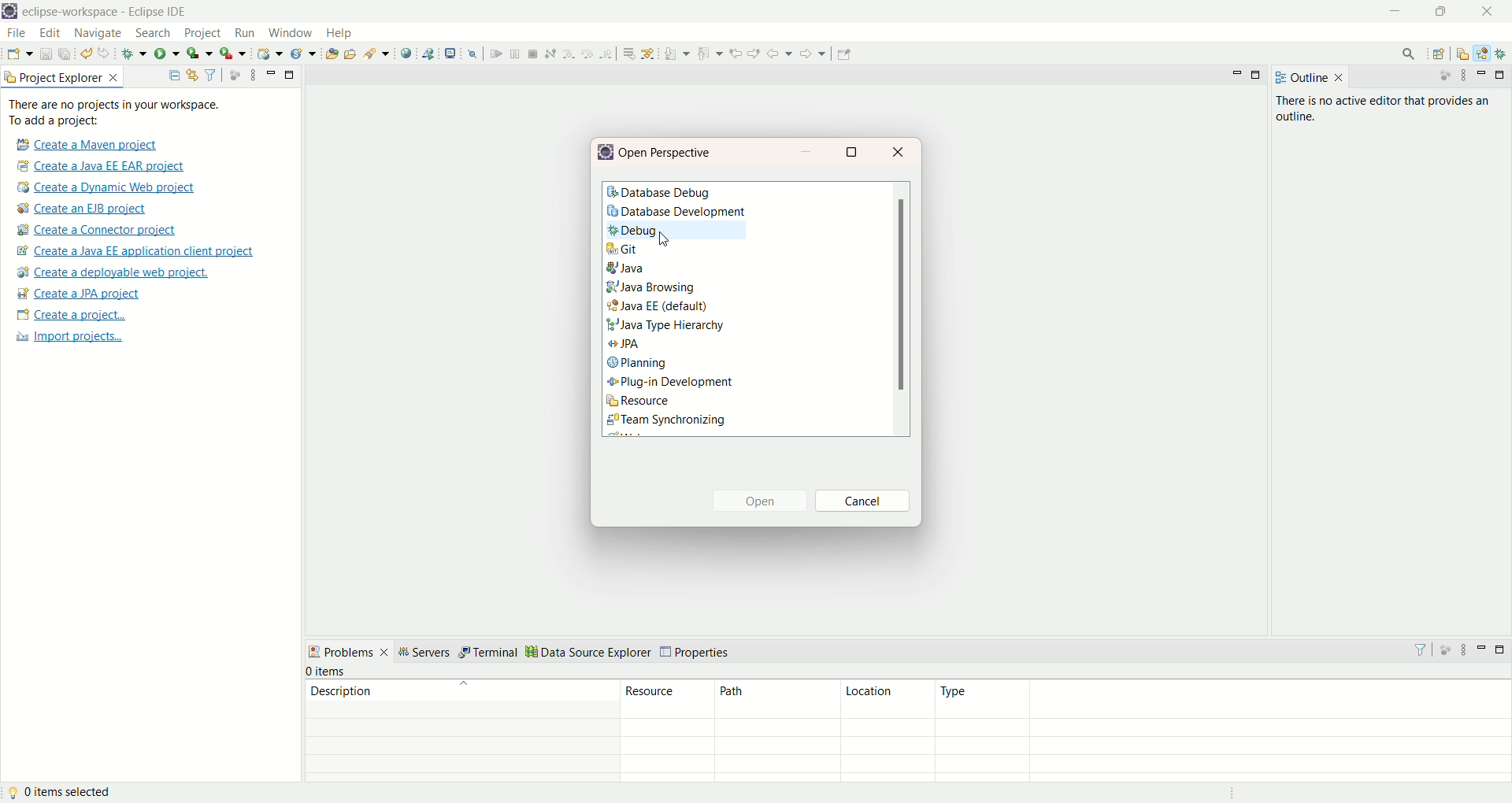  Describe the element at coordinates (135, 54) in the screenshot. I see `debug` at that location.